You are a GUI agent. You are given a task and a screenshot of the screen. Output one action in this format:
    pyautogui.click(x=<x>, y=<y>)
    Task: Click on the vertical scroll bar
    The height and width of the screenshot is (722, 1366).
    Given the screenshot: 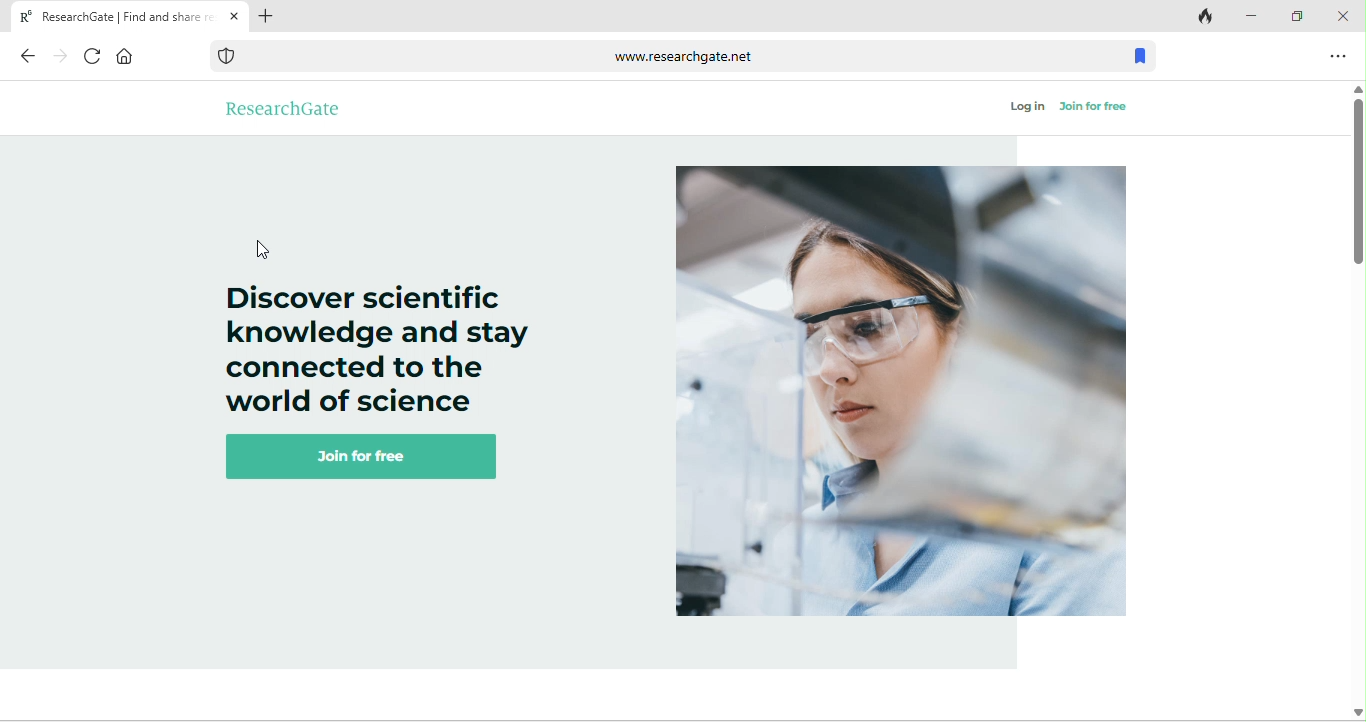 What is the action you would take?
    pyautogui.click(x=1356, y=173)
    